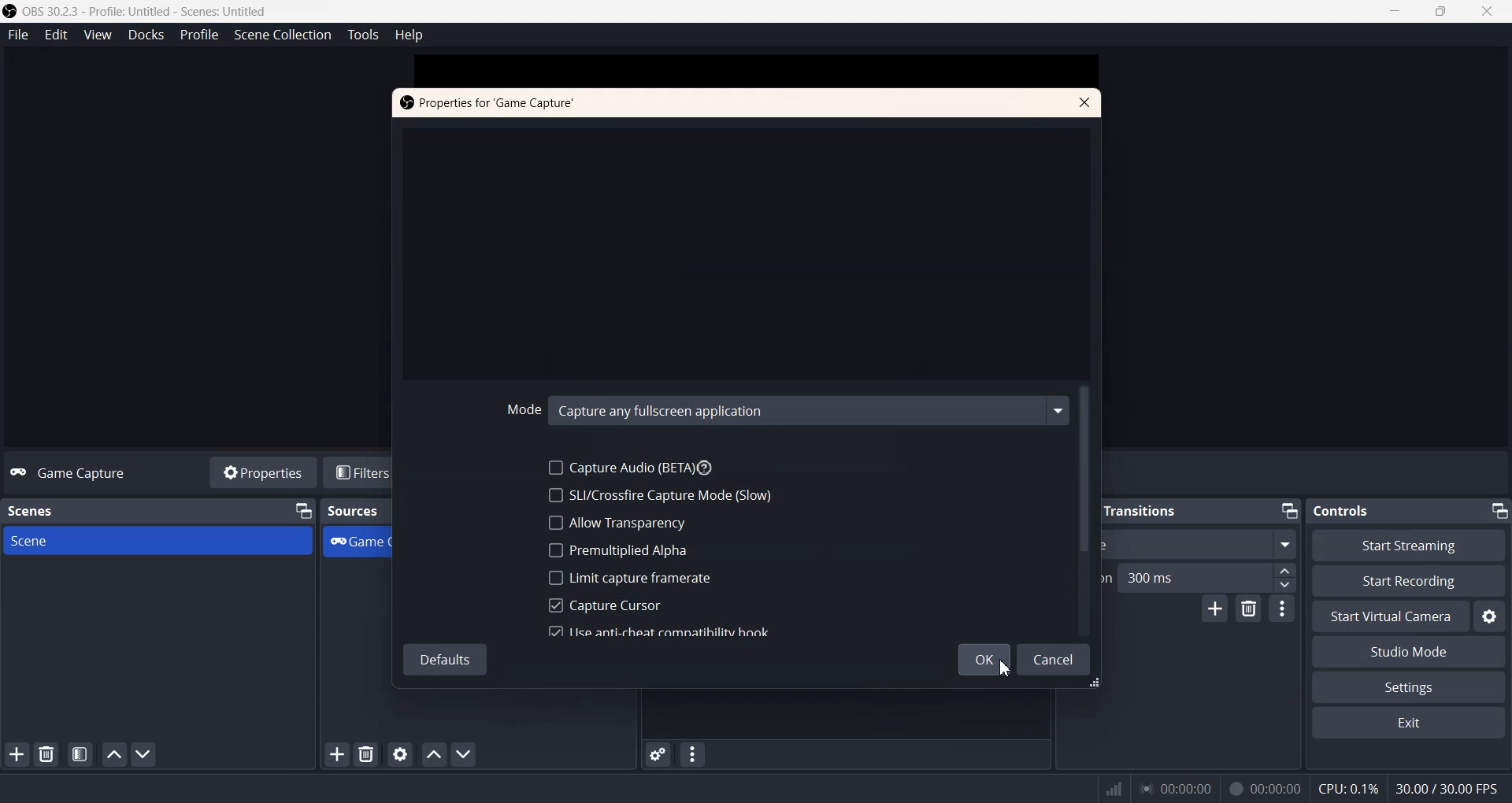 The image size is (1512, 803). What do you see at coordinates (199, 35) in the screenshot?
I see `Profile` at bounding box center [199, 35].